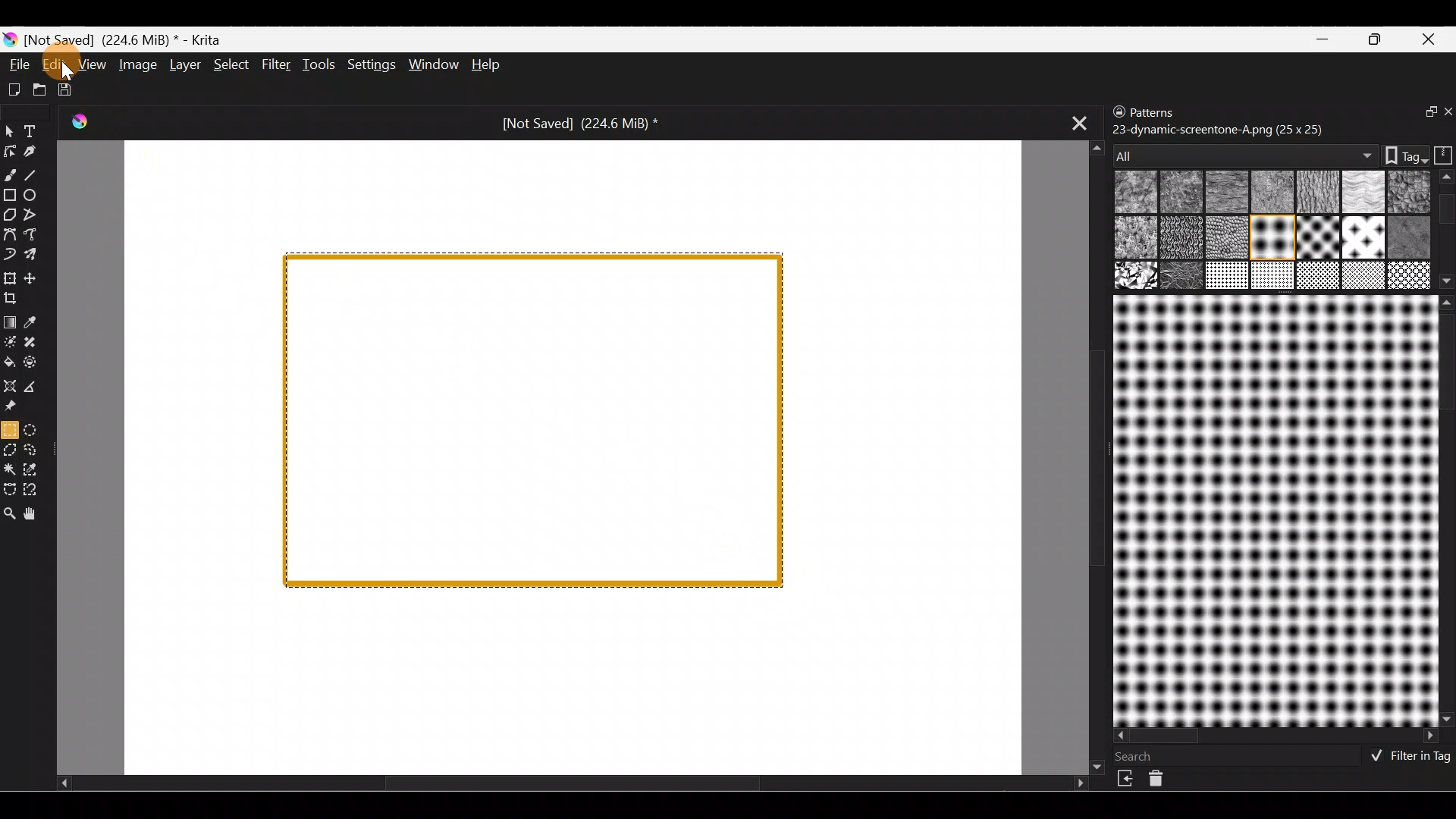 Image resolution: width=1456 pixels, height=819 pixels. What do you see at coordinates (1137, 277) in the screenshot?
I see `14 Texture_rock.png` at bounding box center [1137, 277].